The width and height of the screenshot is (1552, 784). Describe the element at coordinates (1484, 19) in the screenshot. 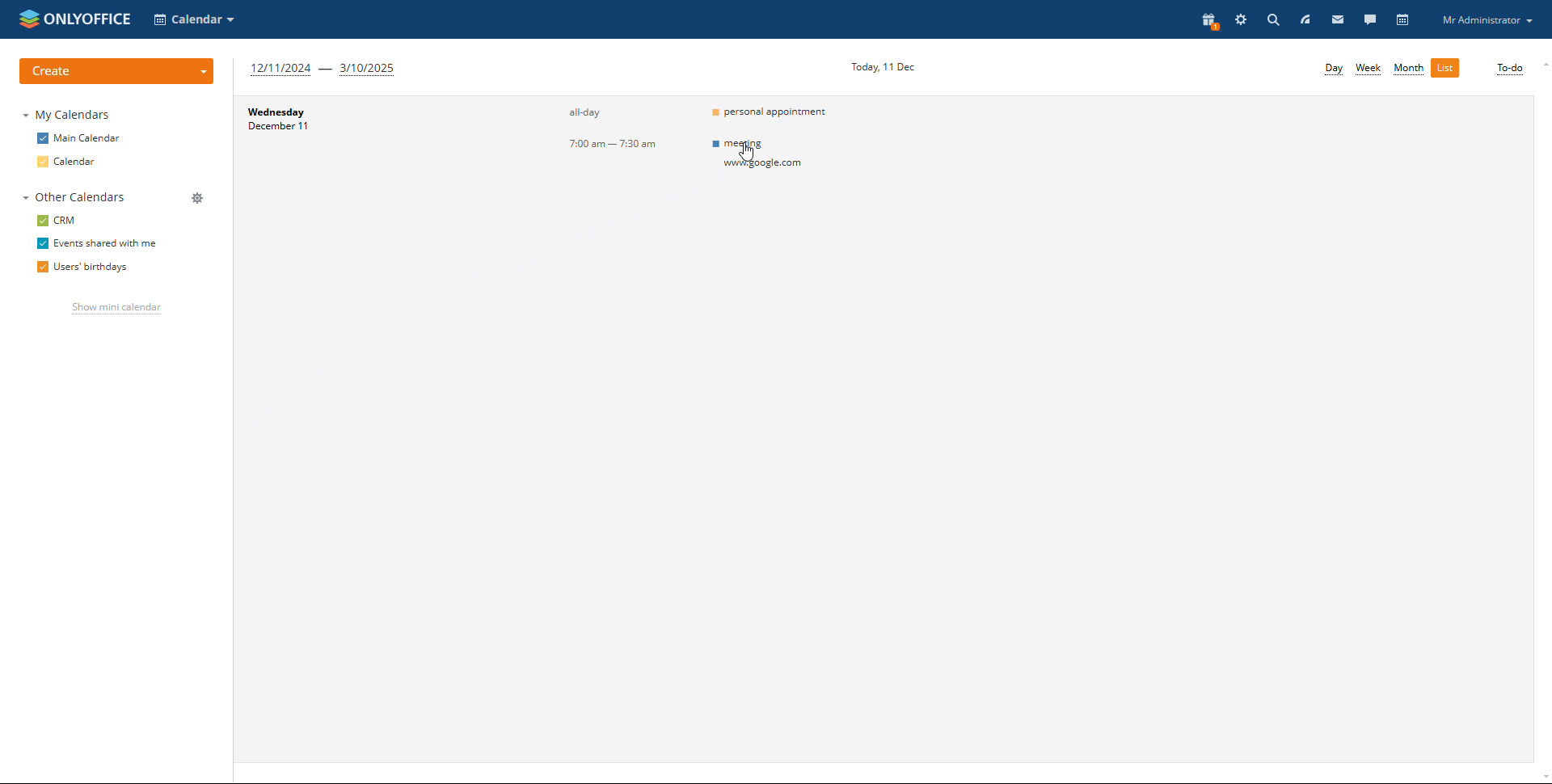

I see `profile` at that location.